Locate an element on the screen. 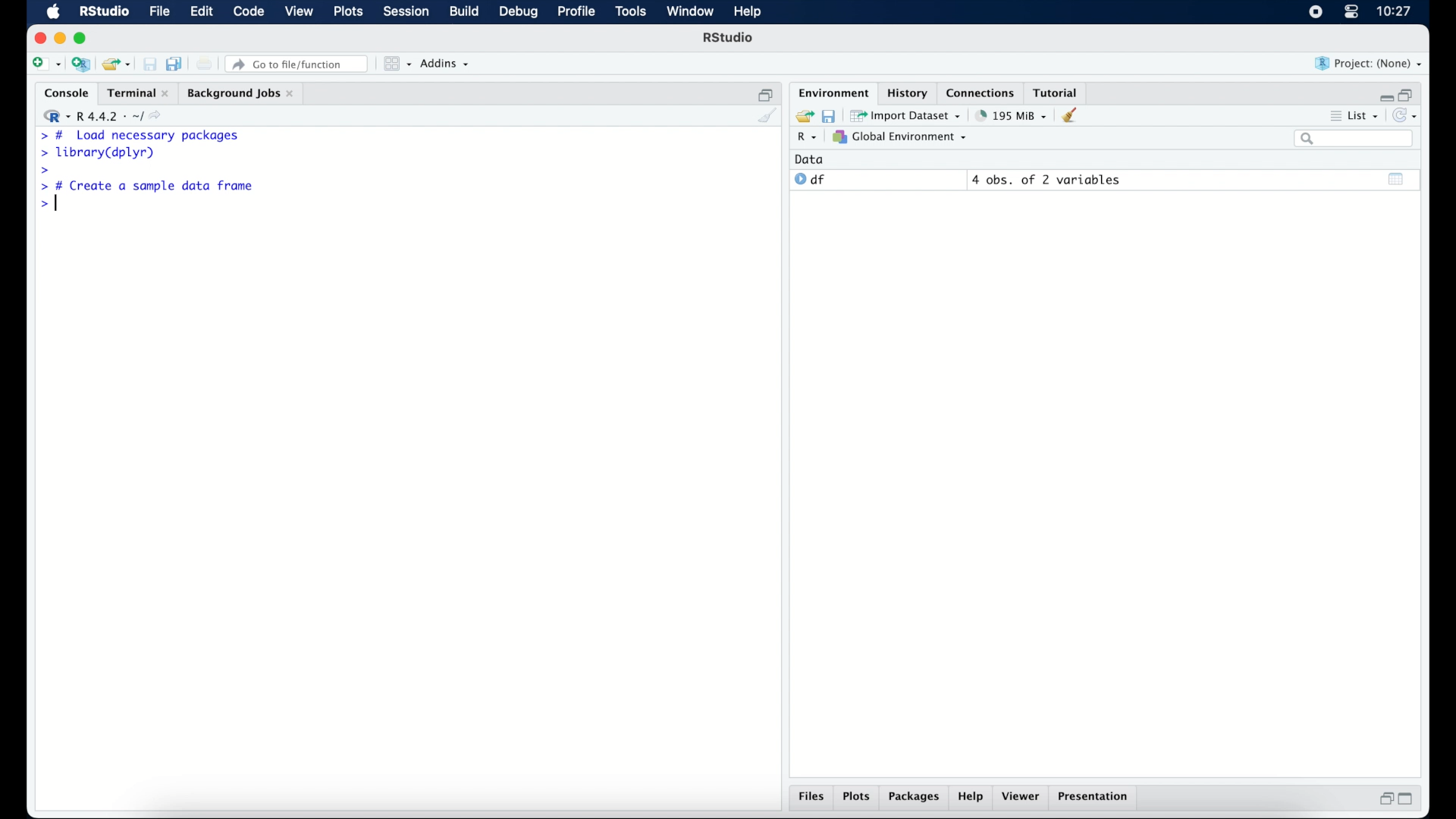 This screenshot has width=1456, height=819. > library(dplyr)| is located at coordinates (101, 153).